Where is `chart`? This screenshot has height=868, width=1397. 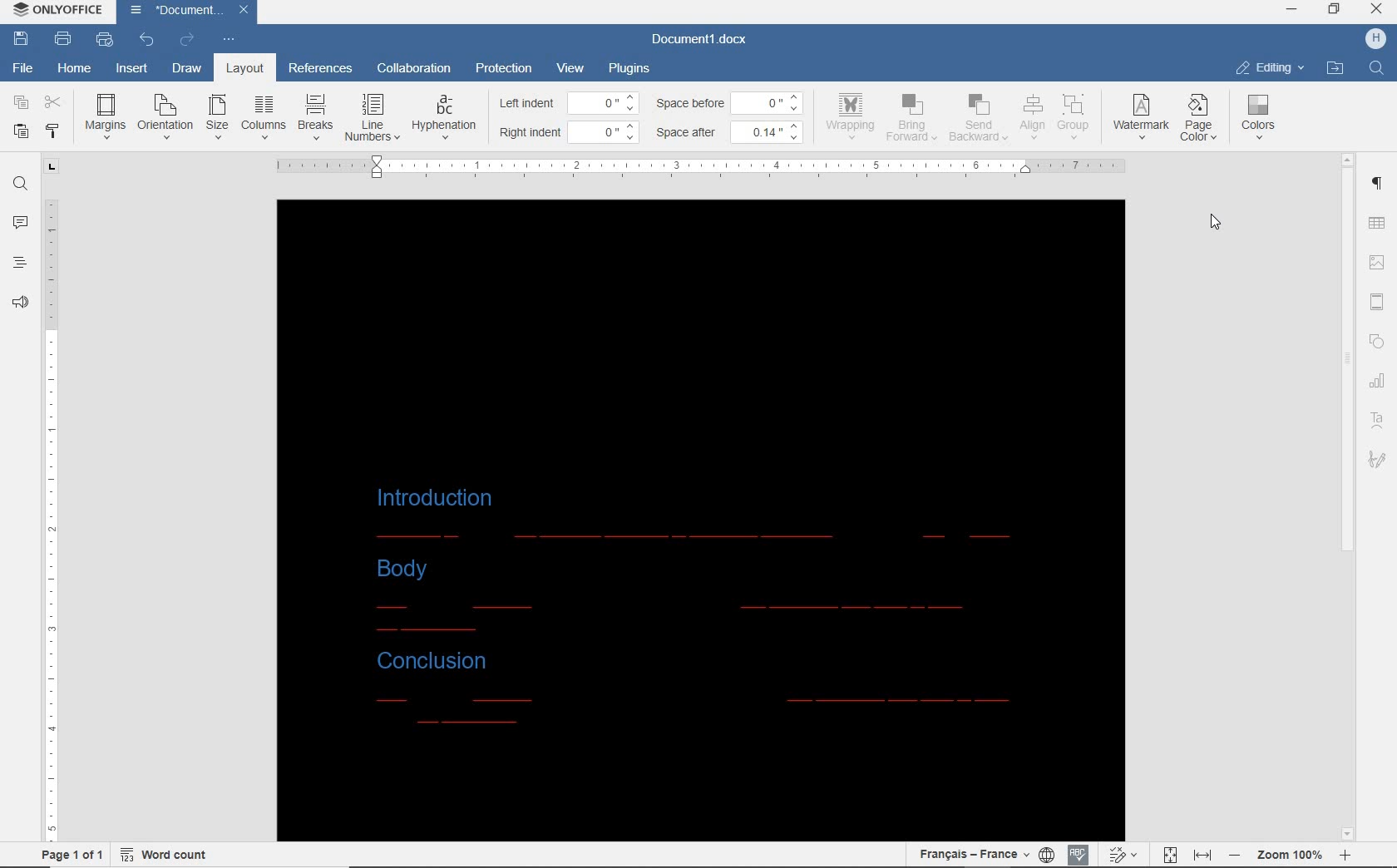
chart is located at coordinates (1379, 382).